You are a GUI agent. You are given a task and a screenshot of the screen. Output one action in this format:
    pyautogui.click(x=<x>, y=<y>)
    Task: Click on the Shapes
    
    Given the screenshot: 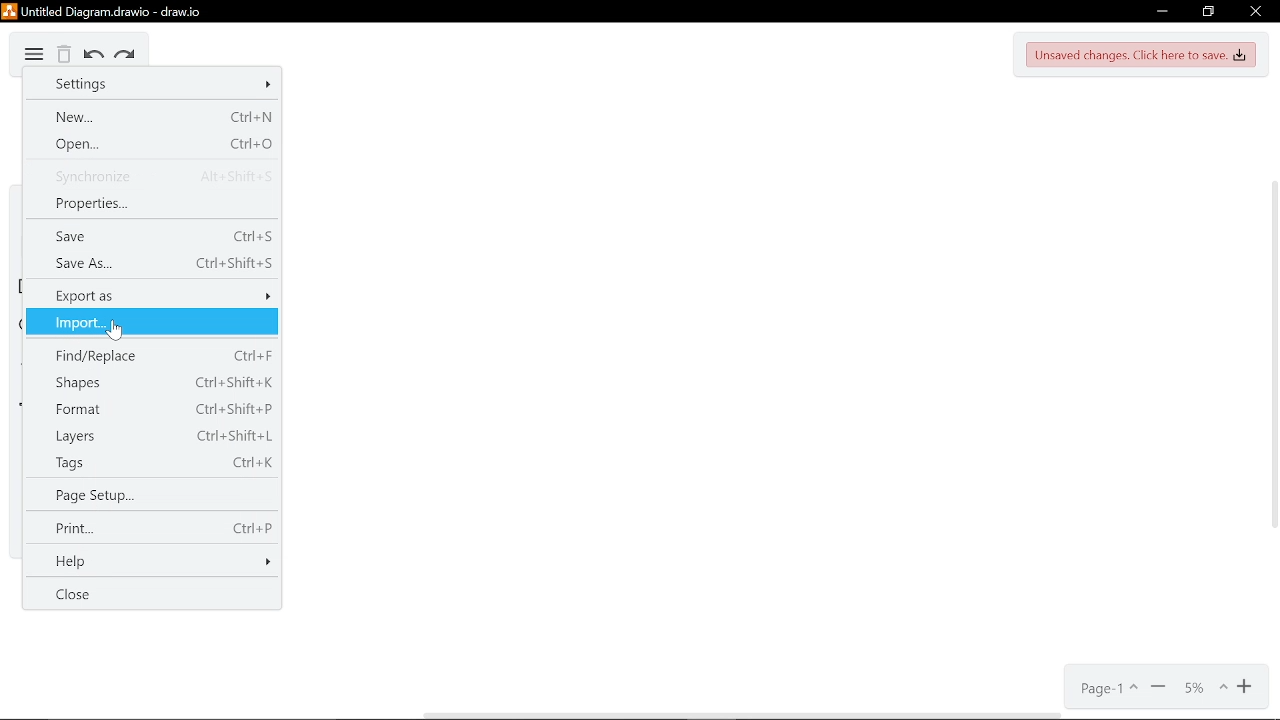 What is the action you would take?
    pyautogui.click(x=153, y=383)
    